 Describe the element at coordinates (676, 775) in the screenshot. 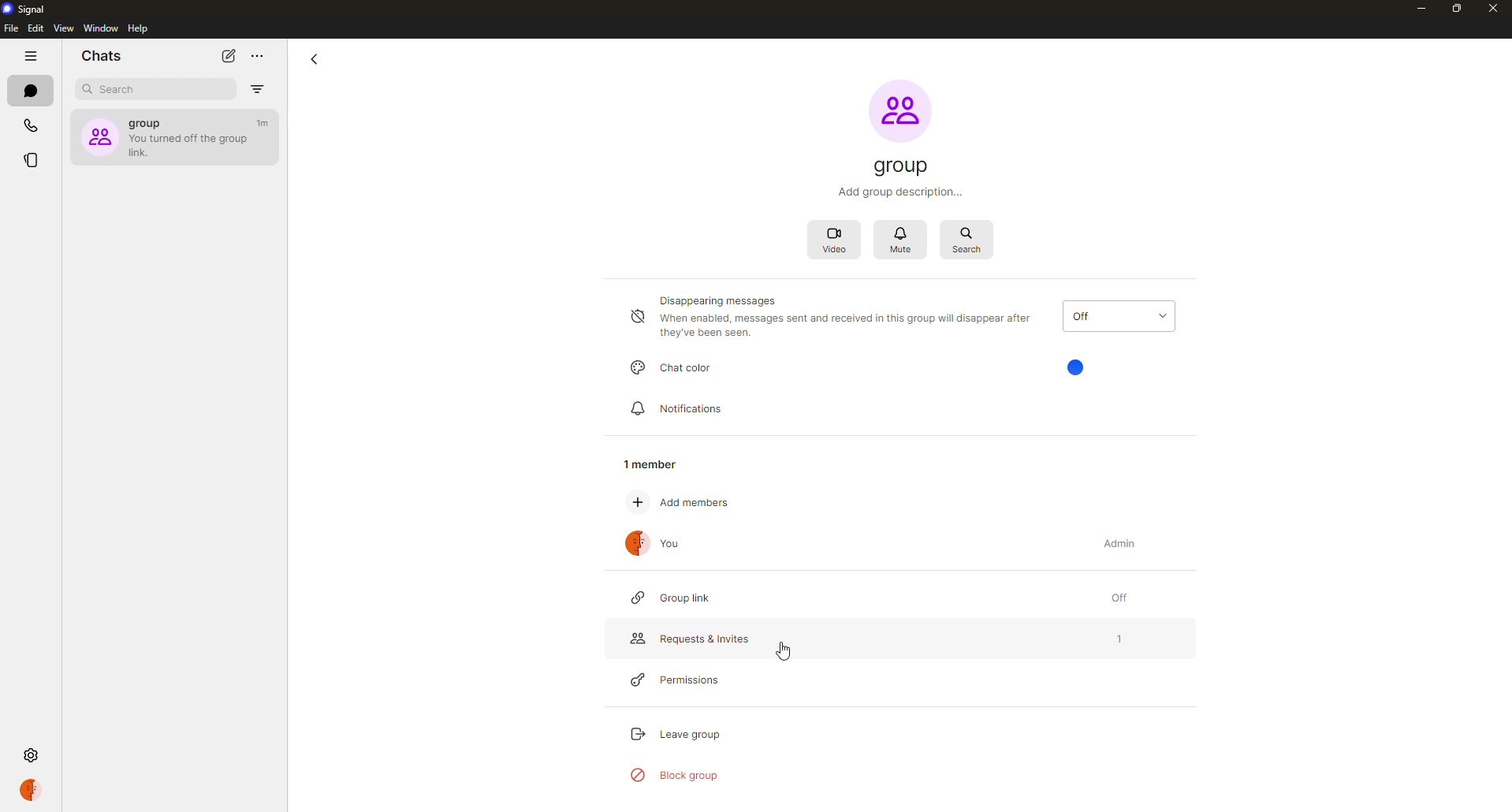

I see `block group` at that location.